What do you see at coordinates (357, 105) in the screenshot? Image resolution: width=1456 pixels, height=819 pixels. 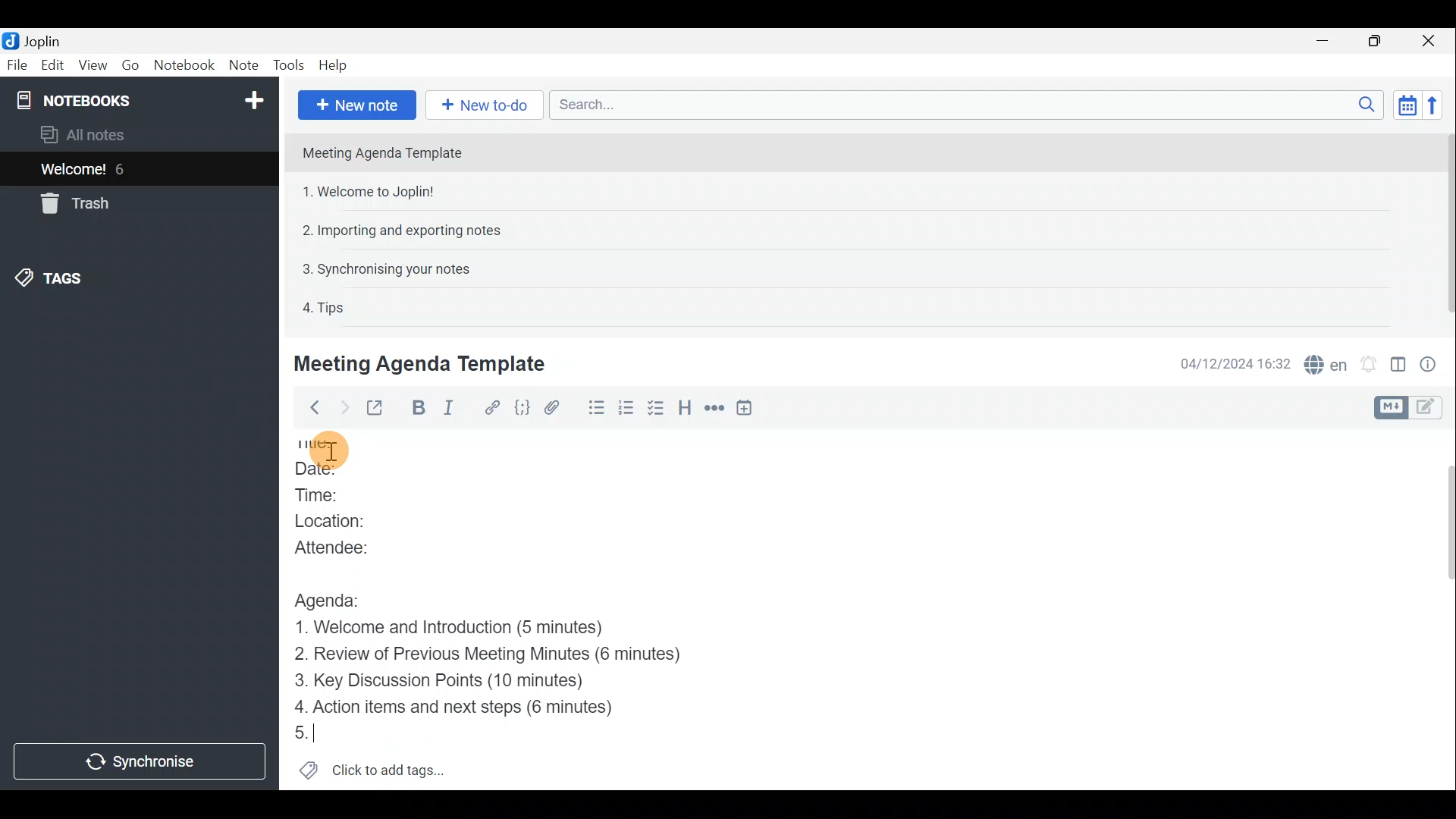 I see `New note` at bounding box center [357, 105].